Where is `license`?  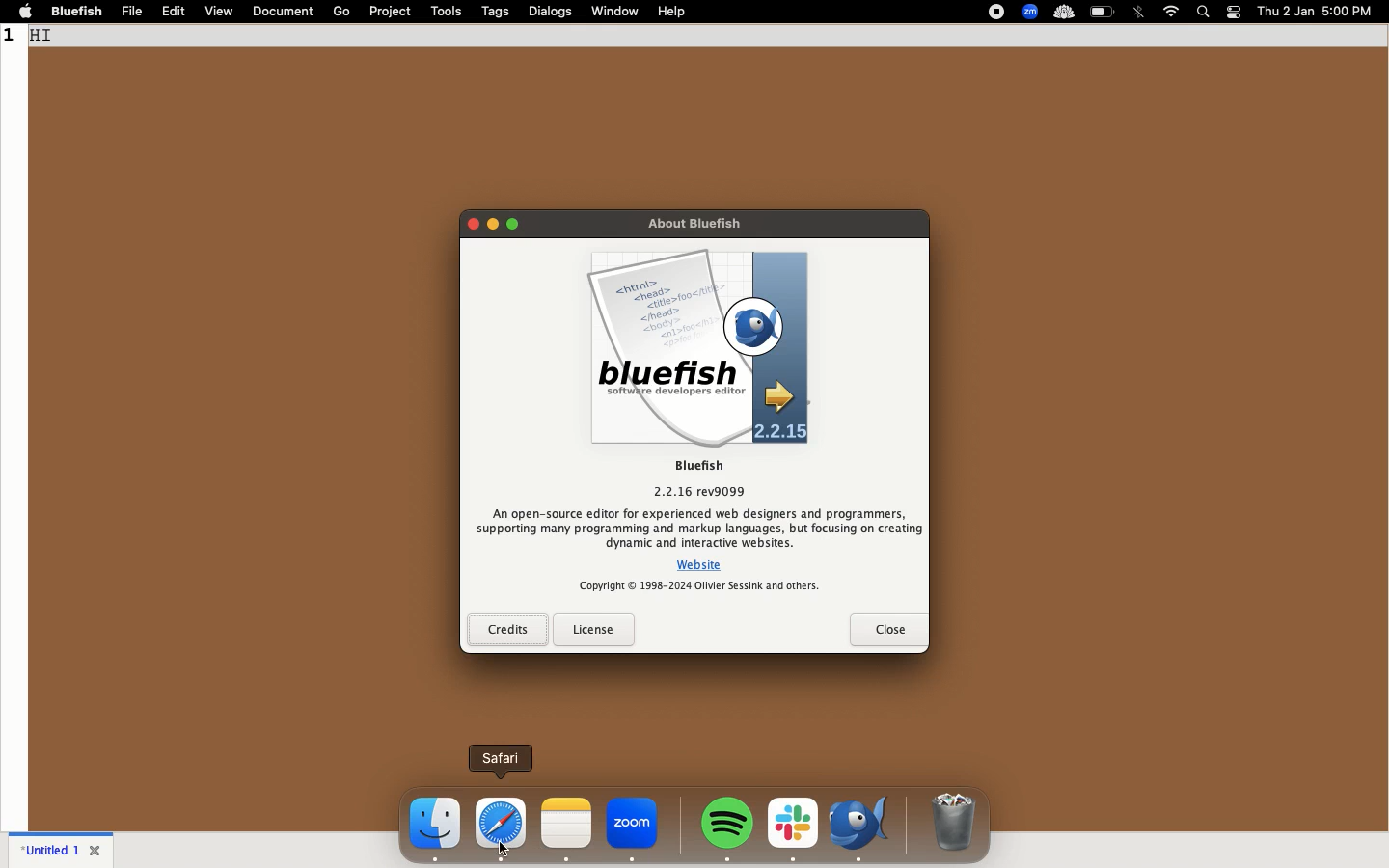 license is located at coordinates (594, 630).